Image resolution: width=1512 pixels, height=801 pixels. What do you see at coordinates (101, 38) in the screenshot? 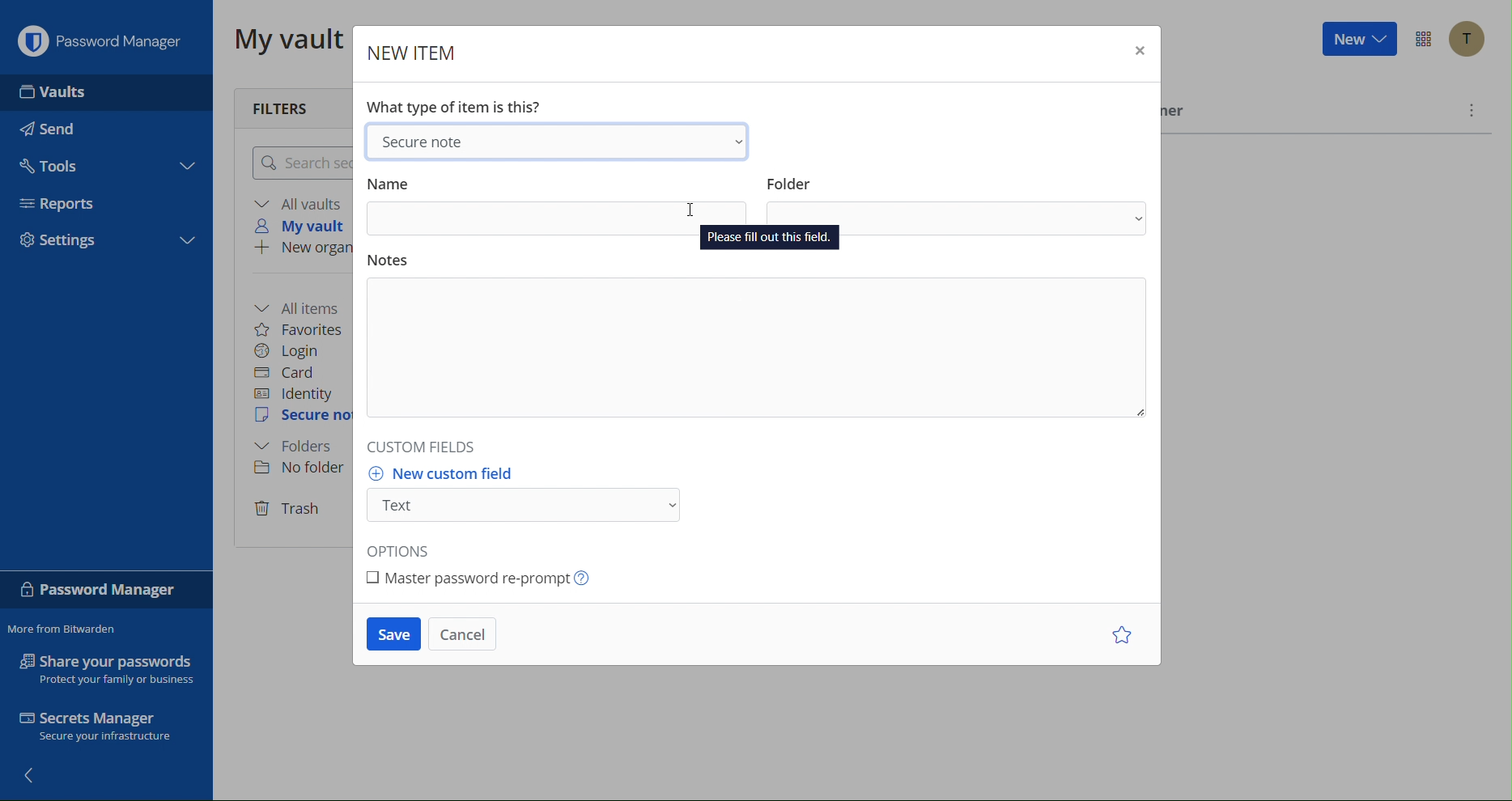
I see `Password Manager` at bounding box center [101, 38].